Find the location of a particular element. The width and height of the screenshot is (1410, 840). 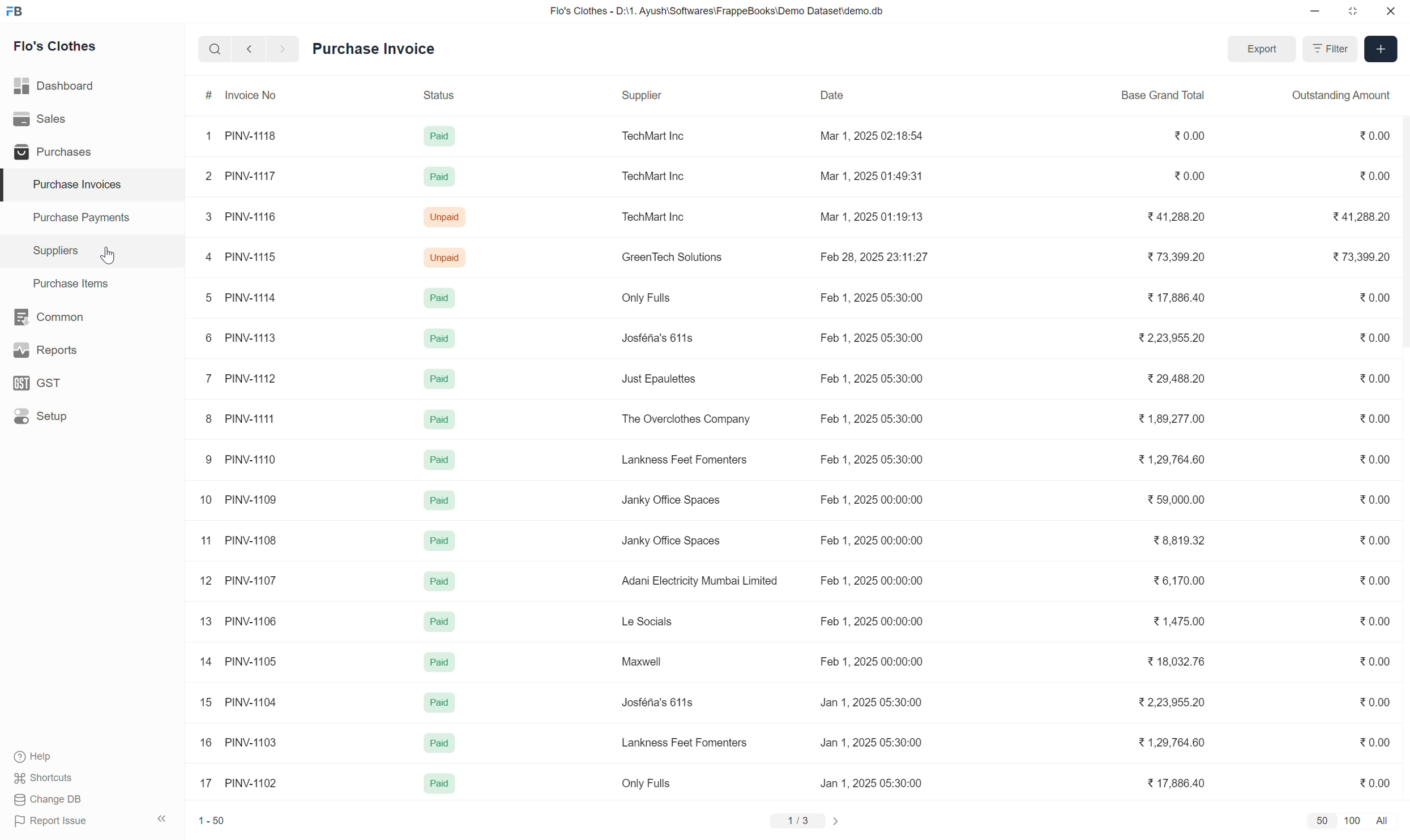

%0.00 is located at coordinates (1370, 498).